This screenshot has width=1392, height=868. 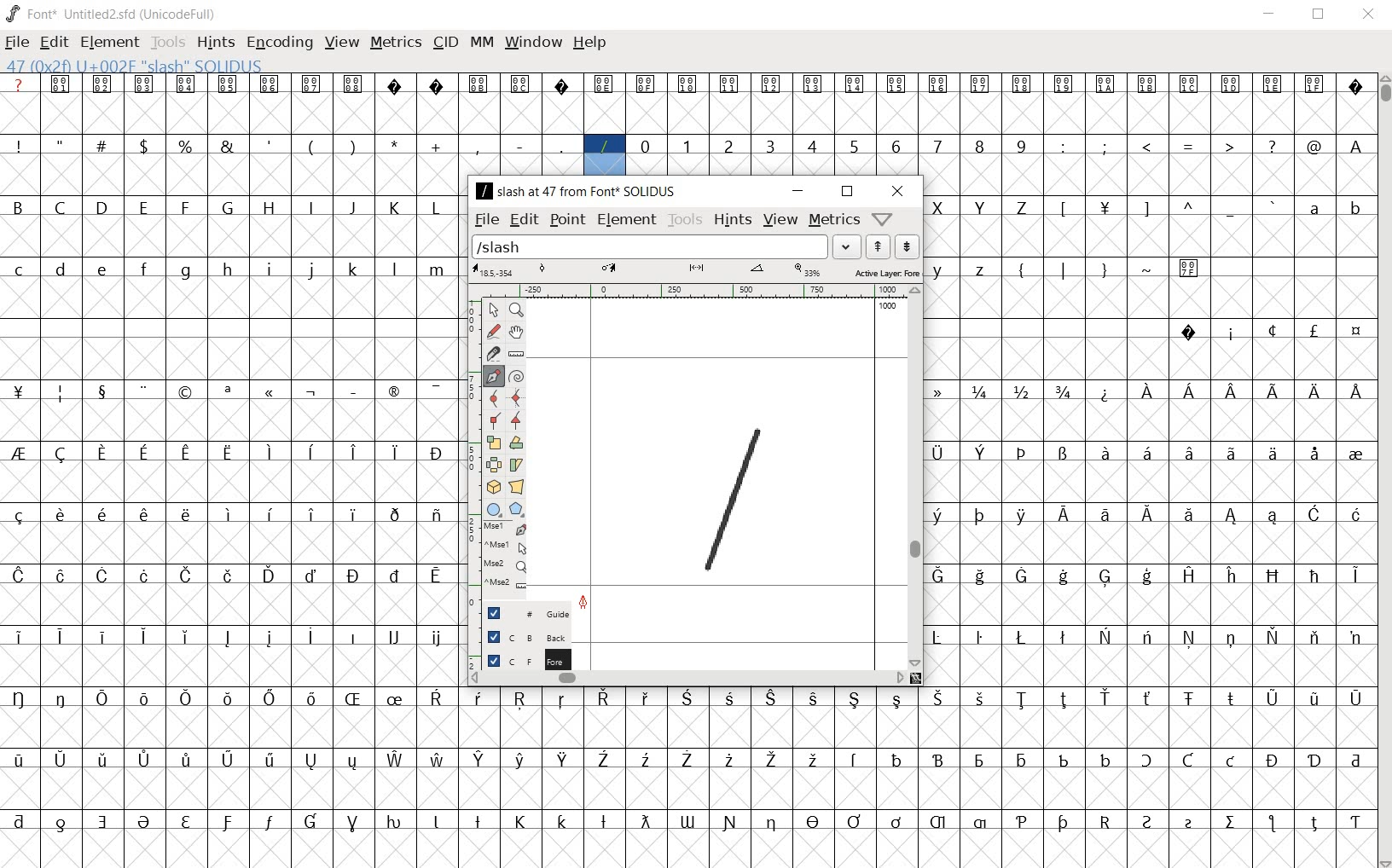 What do you see at coordinates (167, 43) in the screenshot?
I see `TOOLS` at bounding box center [167, 43].